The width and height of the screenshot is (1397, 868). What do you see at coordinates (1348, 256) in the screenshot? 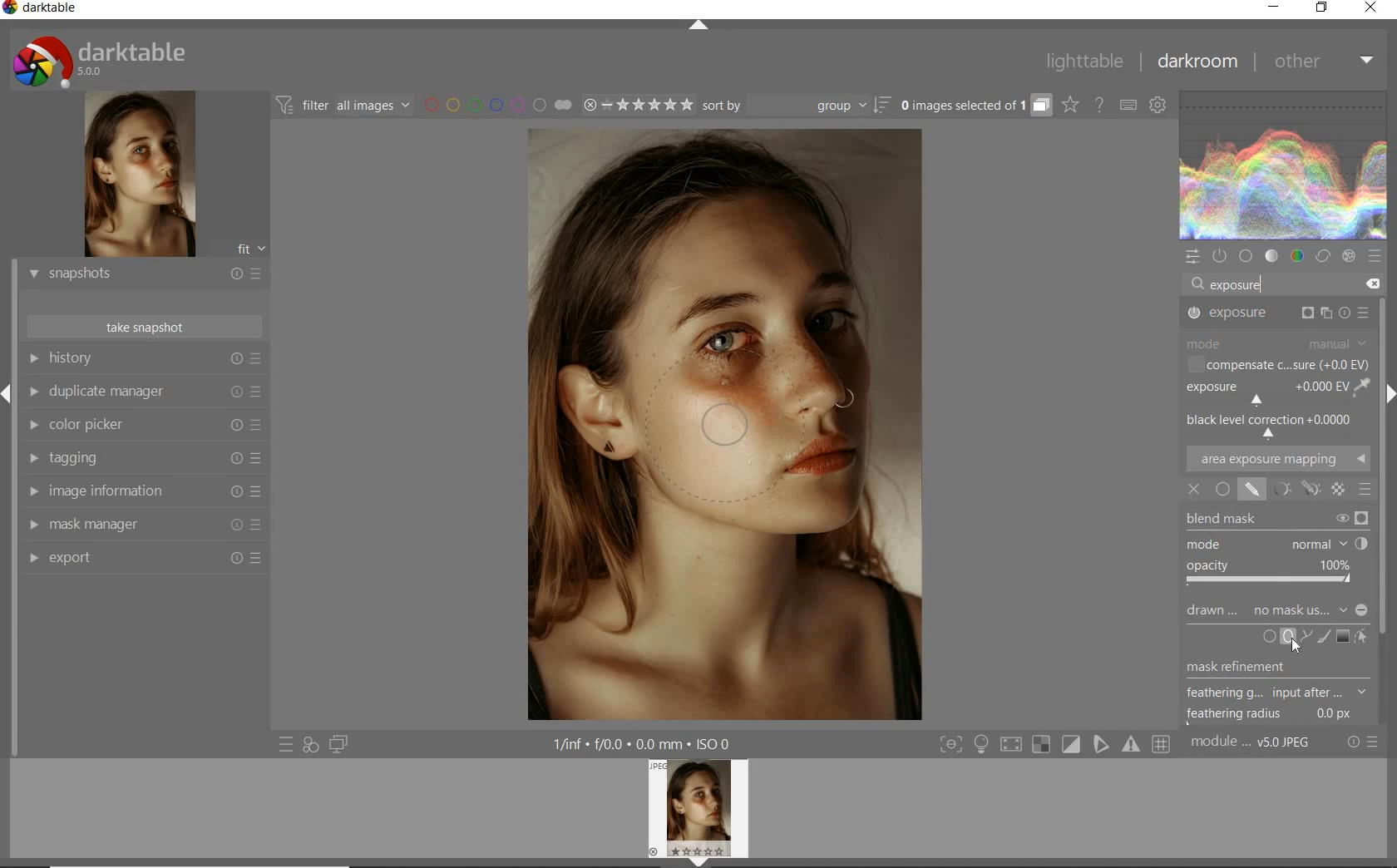
I see `effect` at bounding box center [1348, 256].